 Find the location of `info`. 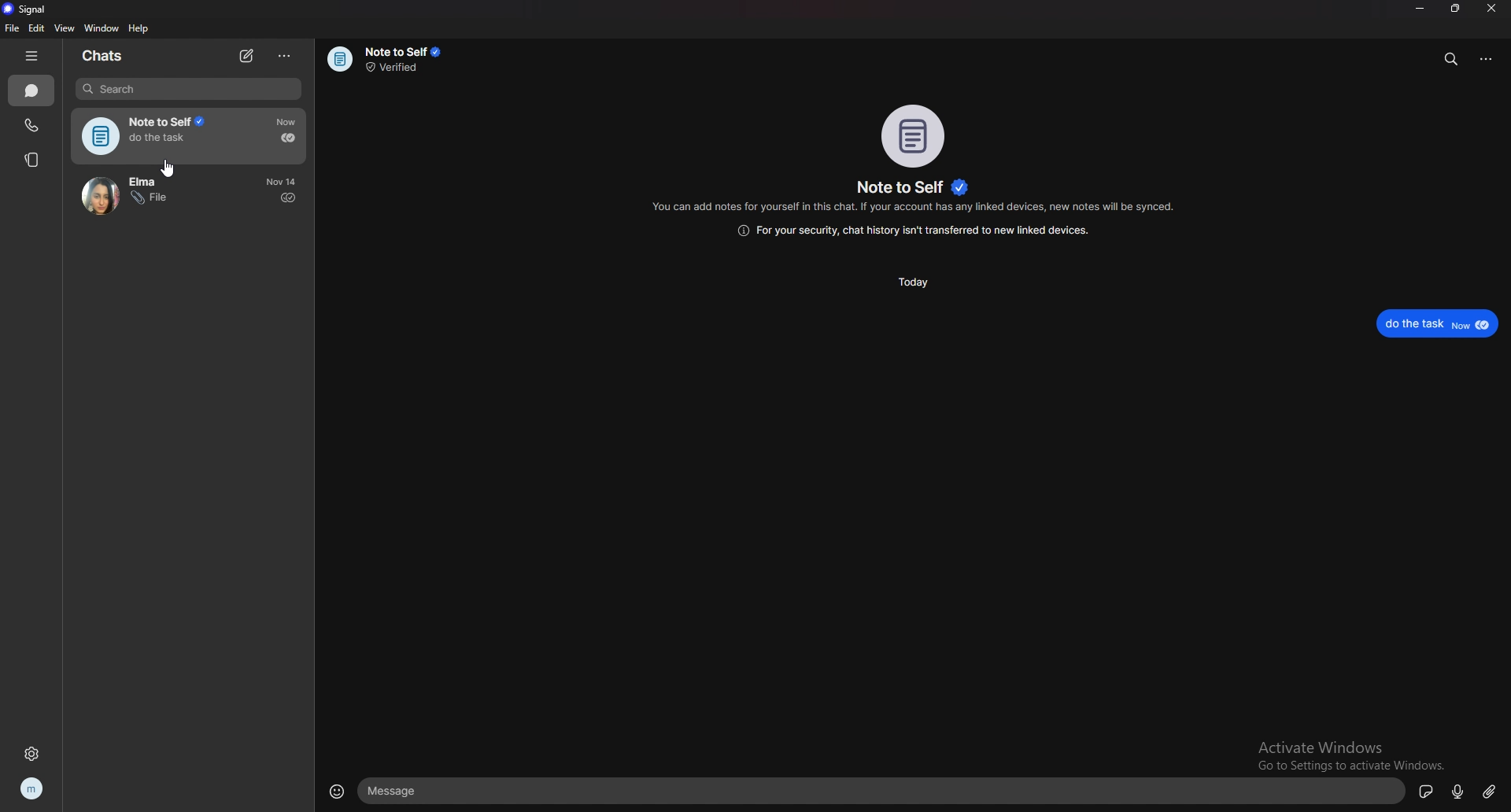

info is located at coordinates (386, 58).